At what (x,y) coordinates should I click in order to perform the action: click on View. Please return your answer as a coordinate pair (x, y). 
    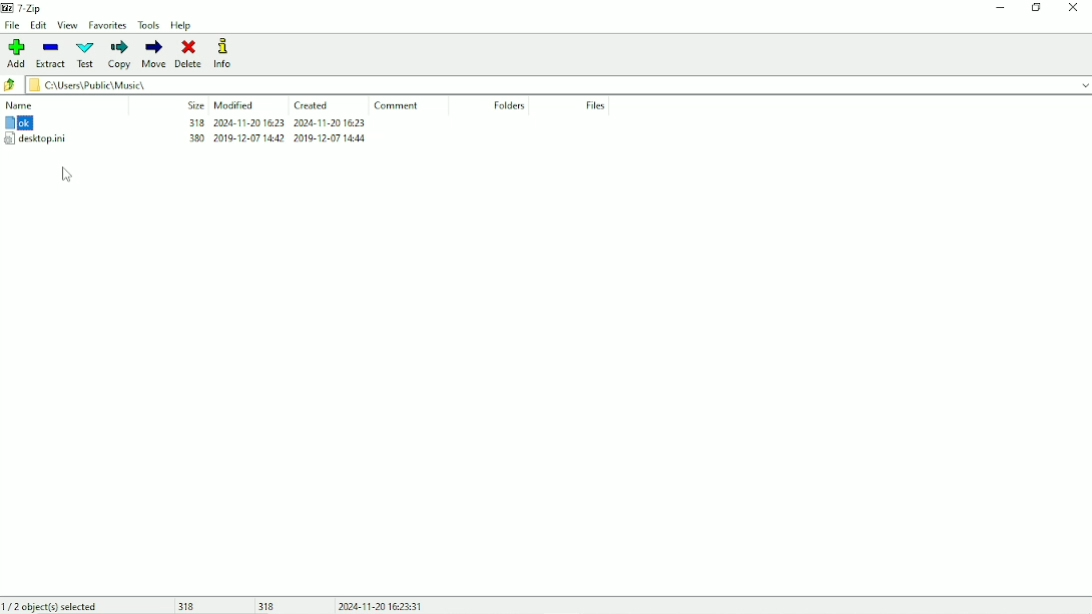
    Looking at the image, I should click on (67, 26).